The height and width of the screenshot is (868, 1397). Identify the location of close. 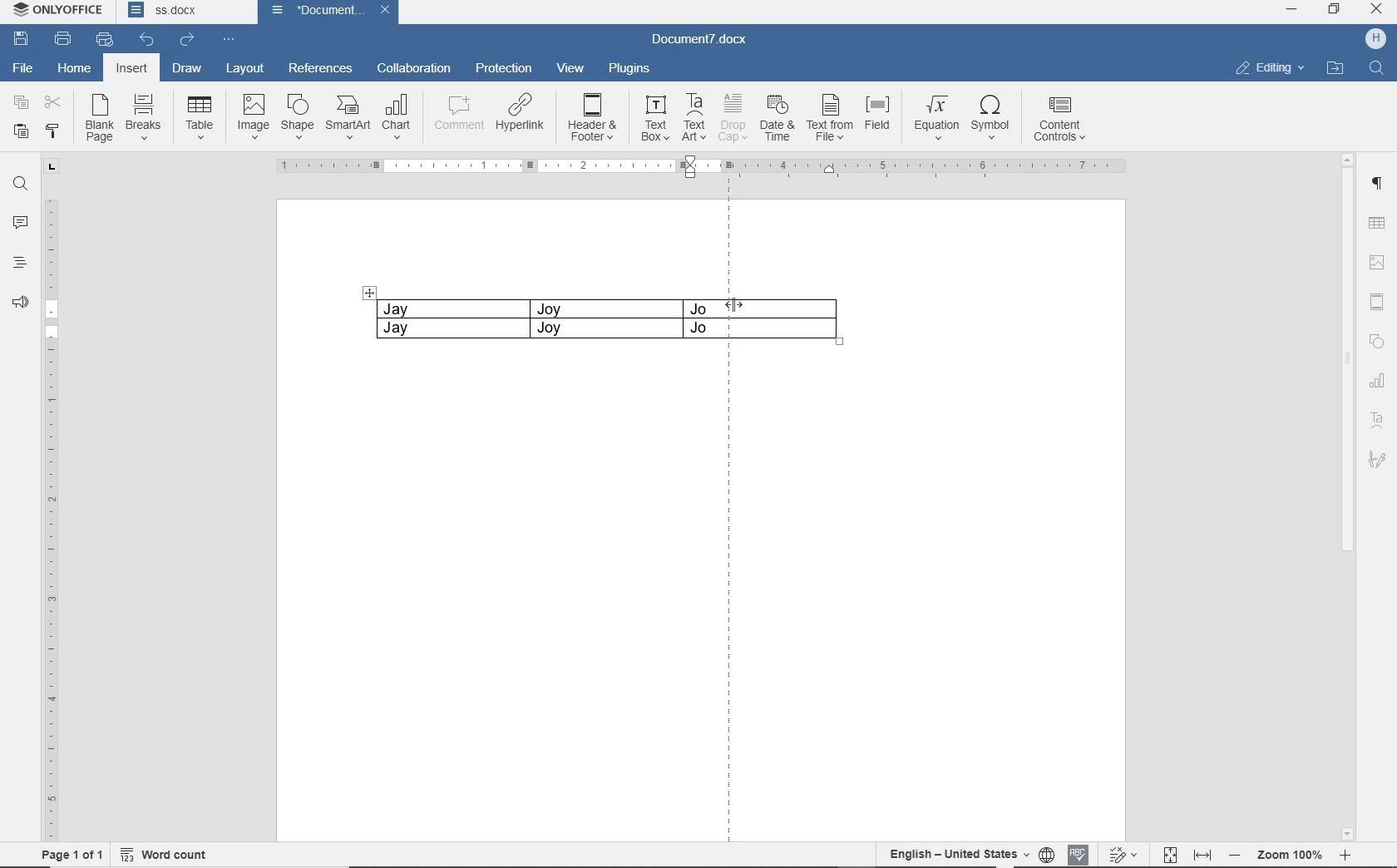
(388, 11).